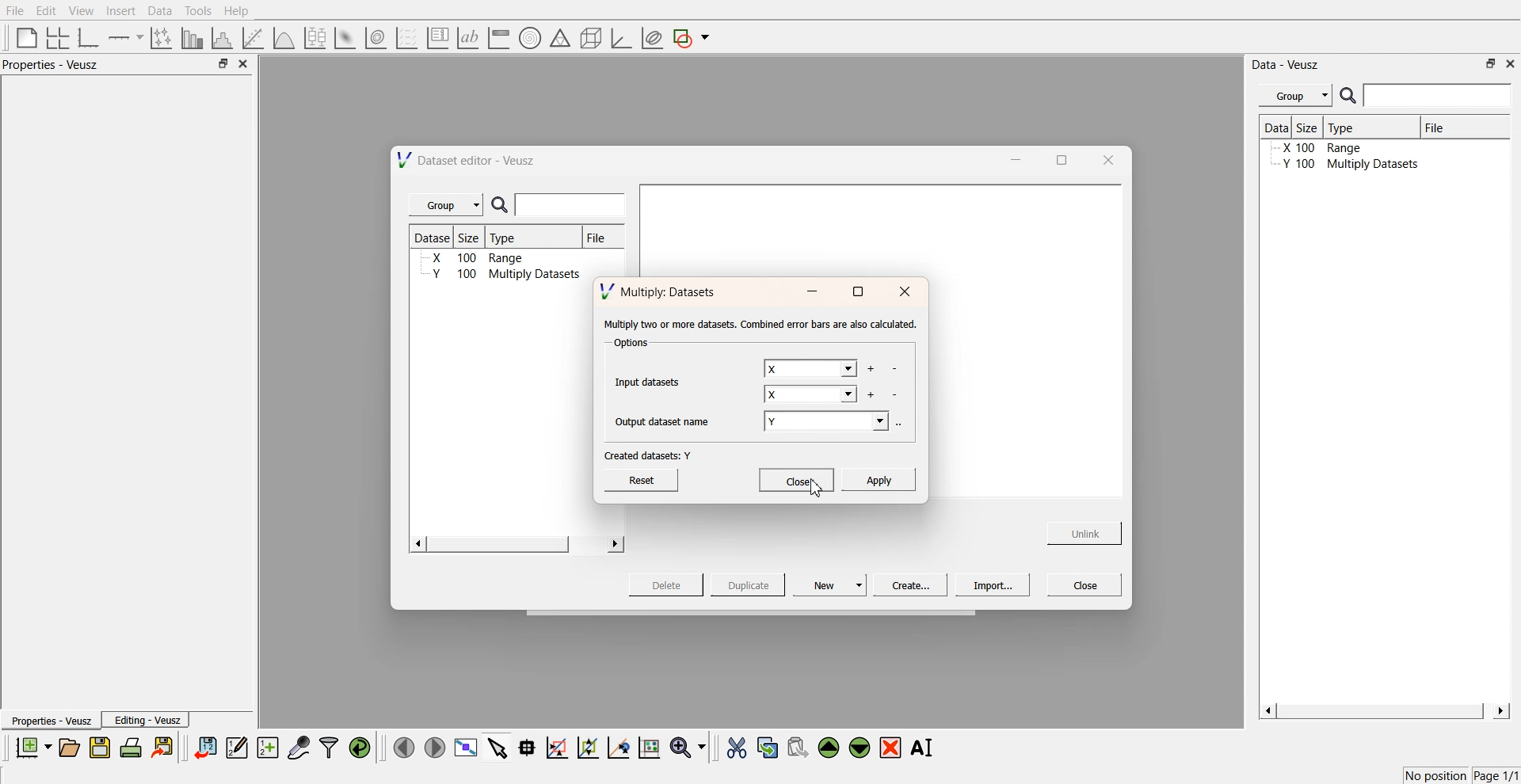 This screenshot has width=1521, height=784. Describe the element at coordinates (668, 420) in the screenshot. I see `Output dataset name` at that location.